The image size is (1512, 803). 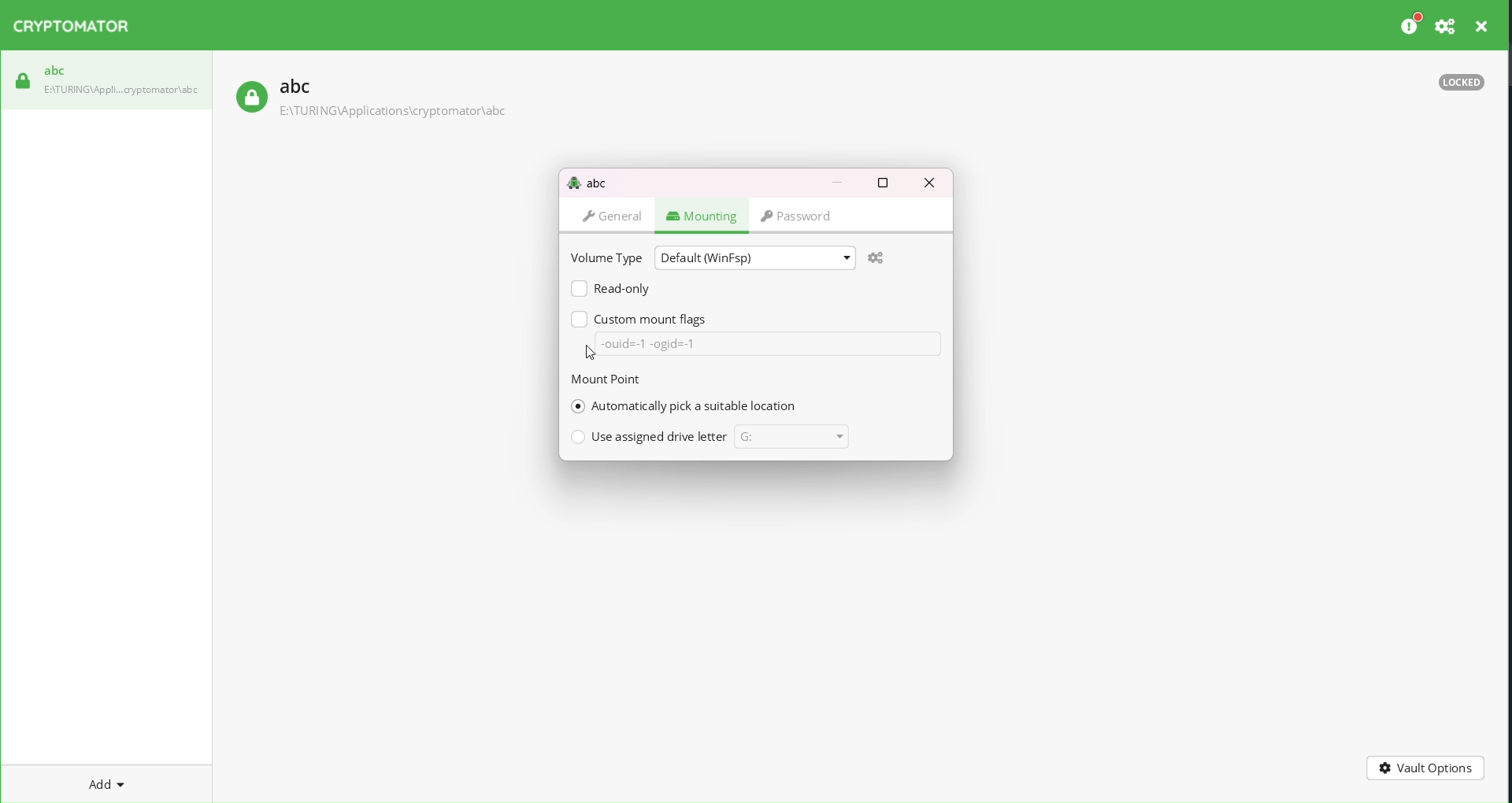 I want to click on default, so click(x=752, y=257).